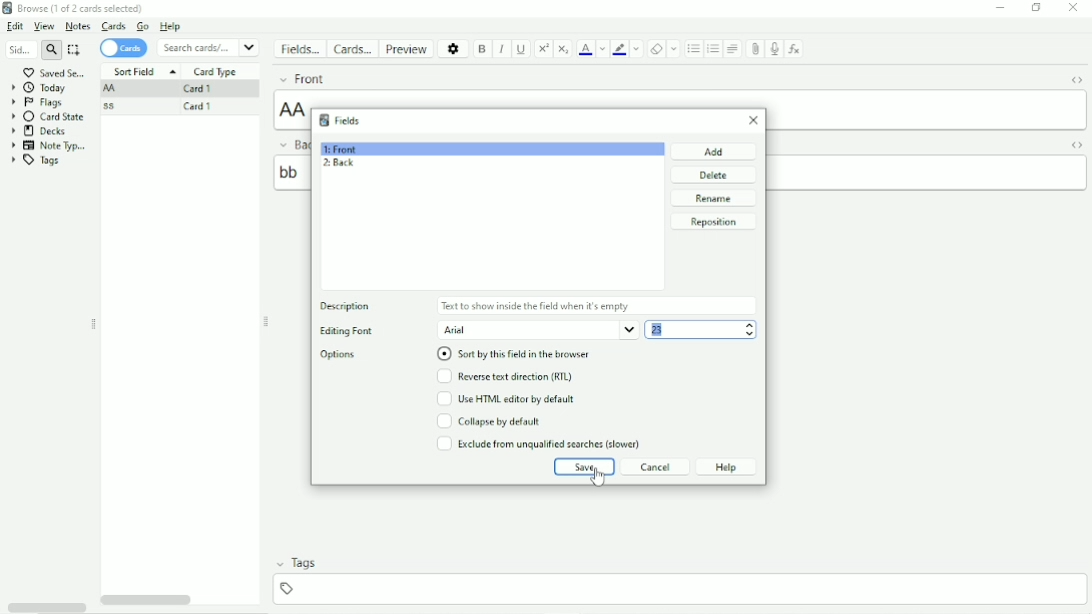  Describe the element at coordinates (653, 467) in the screenshot. I see `Cancel` at that location.